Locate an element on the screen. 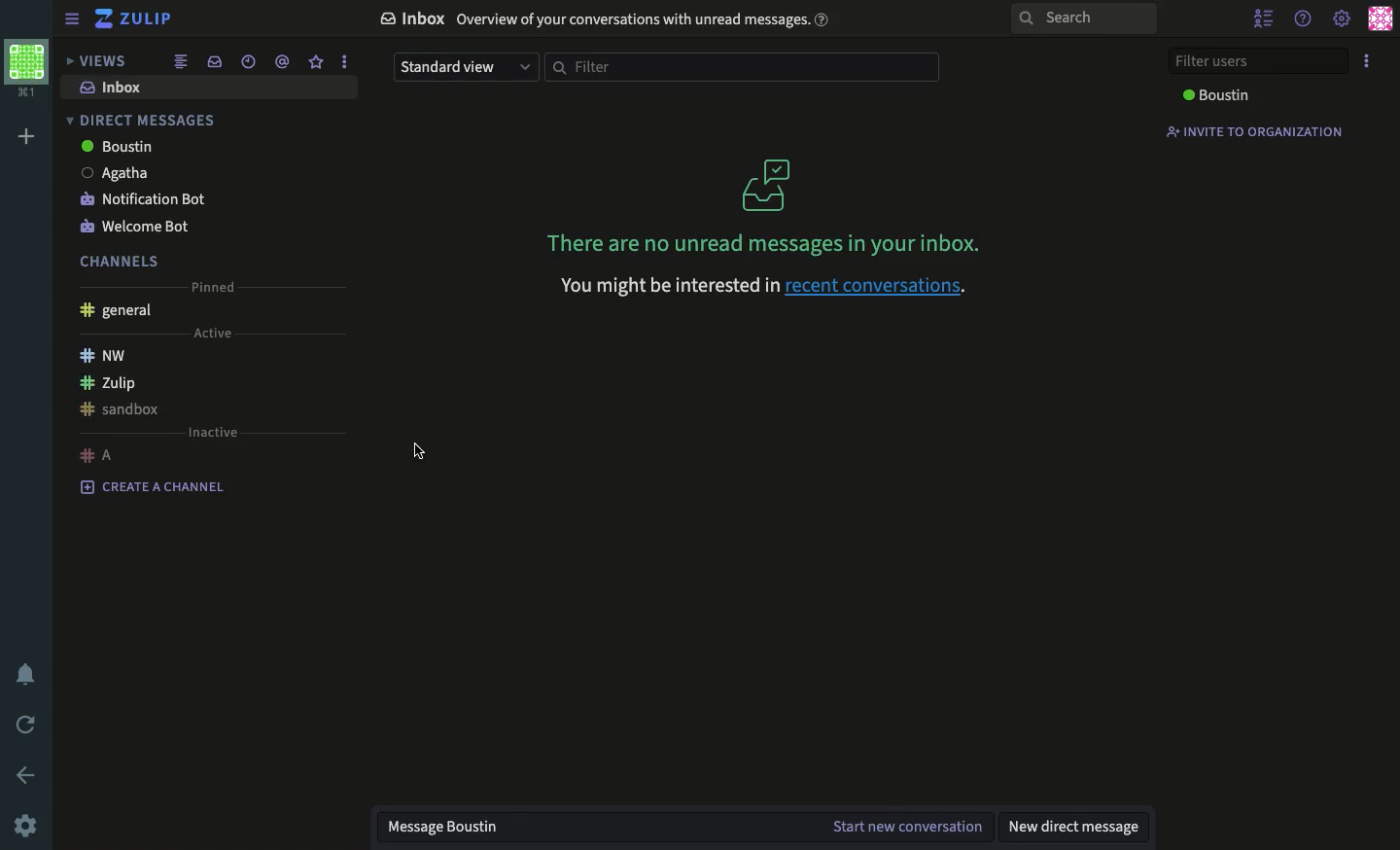  start new conversation is located at coordinates (908, 827).